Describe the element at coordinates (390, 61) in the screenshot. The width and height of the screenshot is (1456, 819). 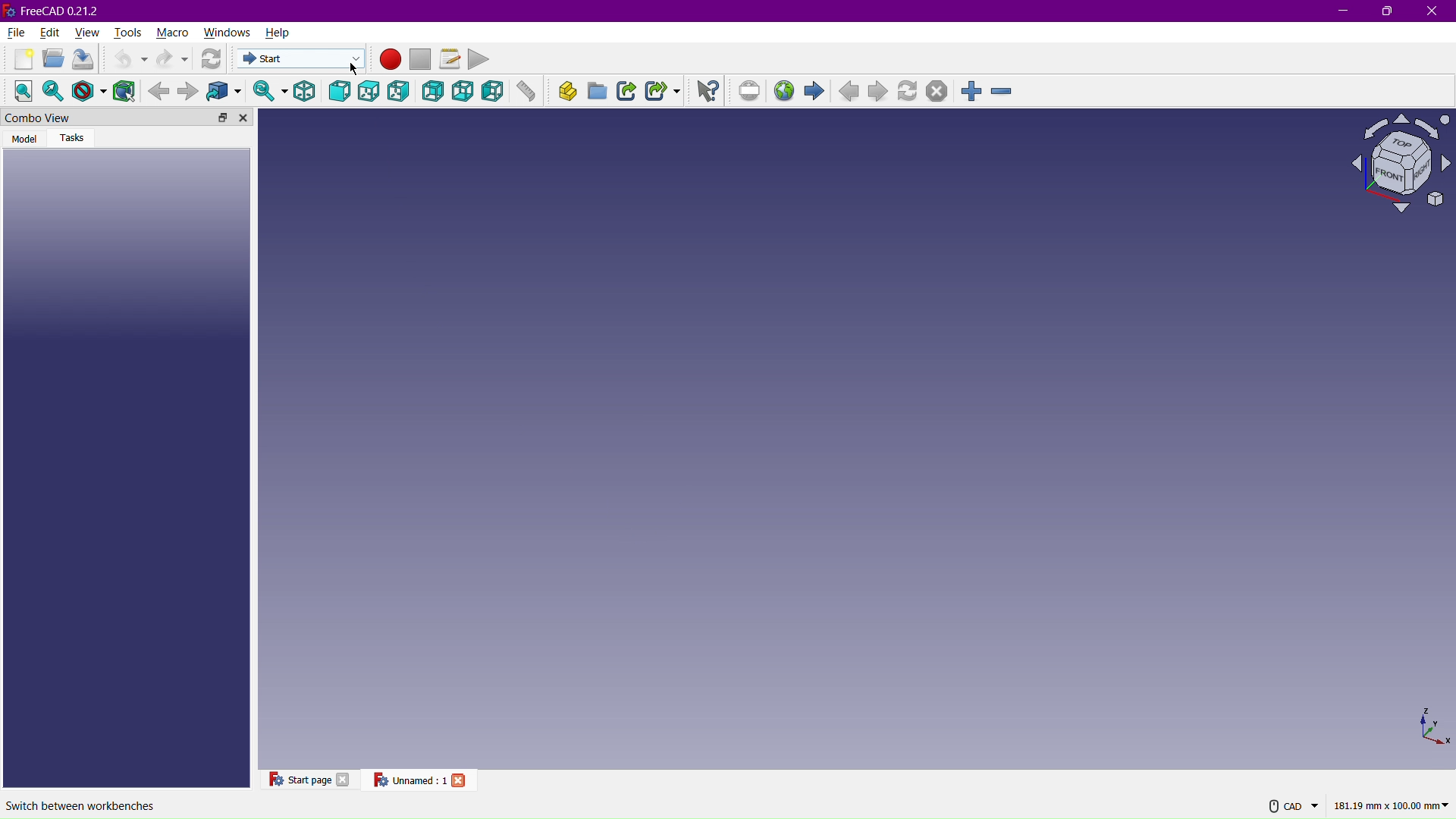
I see `Record Macros` at that location.